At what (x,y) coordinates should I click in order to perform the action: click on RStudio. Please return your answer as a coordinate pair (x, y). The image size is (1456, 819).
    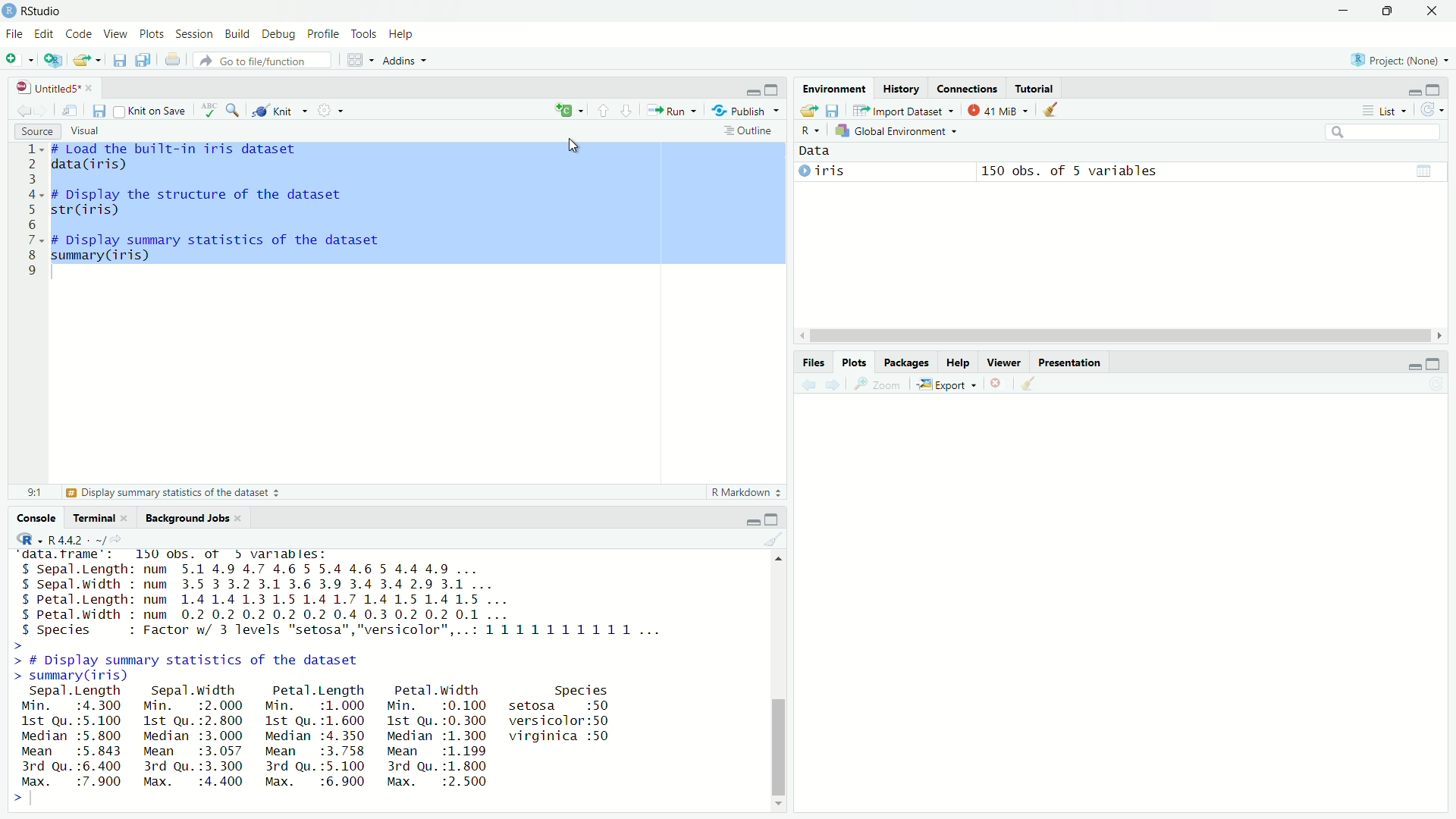
    Looking at the image, I should click on (33, 11).